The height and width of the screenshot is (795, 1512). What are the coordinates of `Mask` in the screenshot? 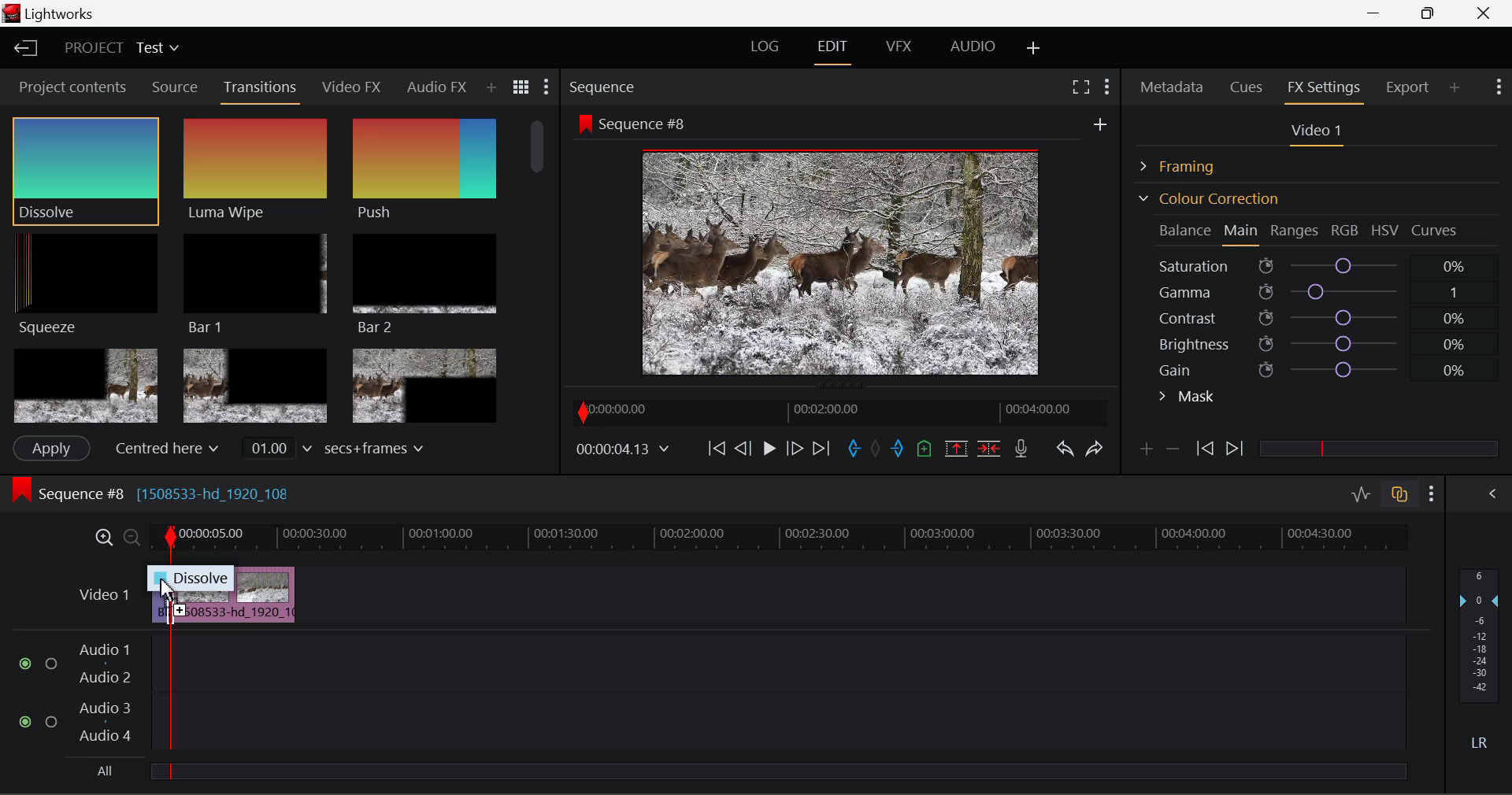 It's located at (1188, 398).